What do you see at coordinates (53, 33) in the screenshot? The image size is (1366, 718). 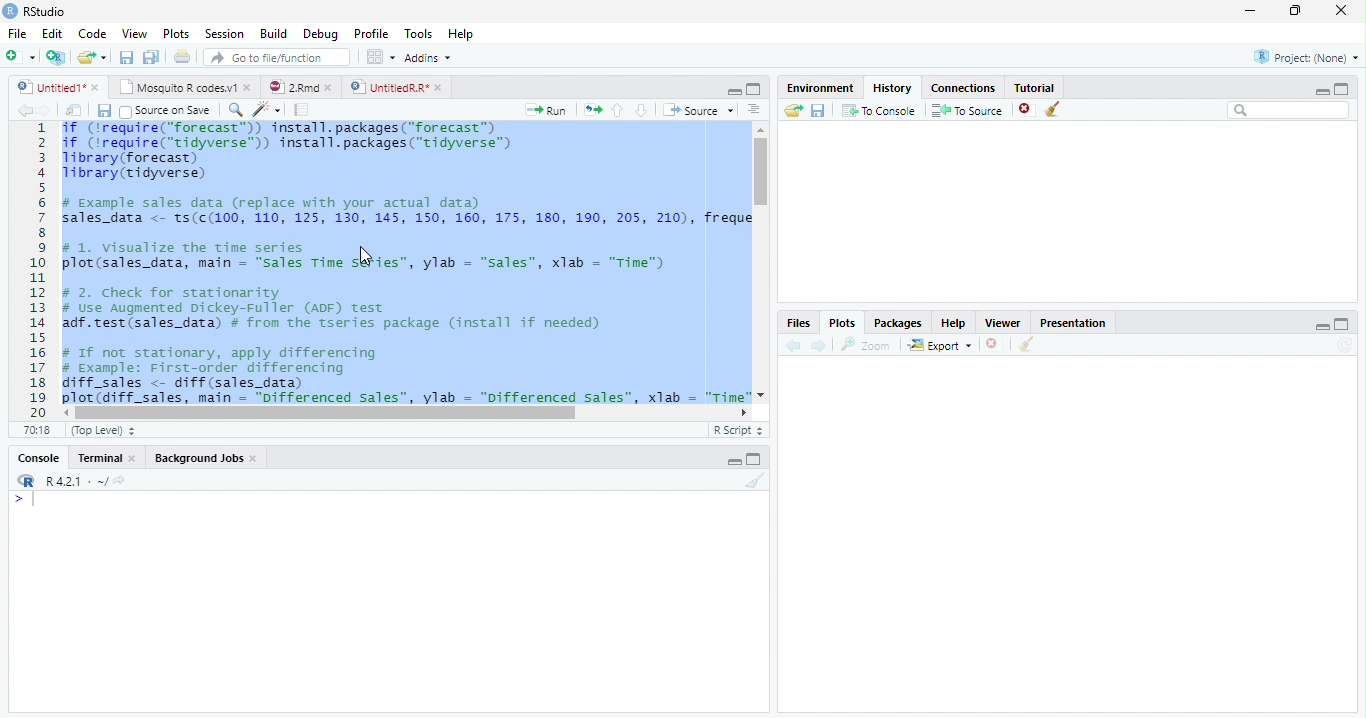 I see `Edit` at bounding box center [53, 33].